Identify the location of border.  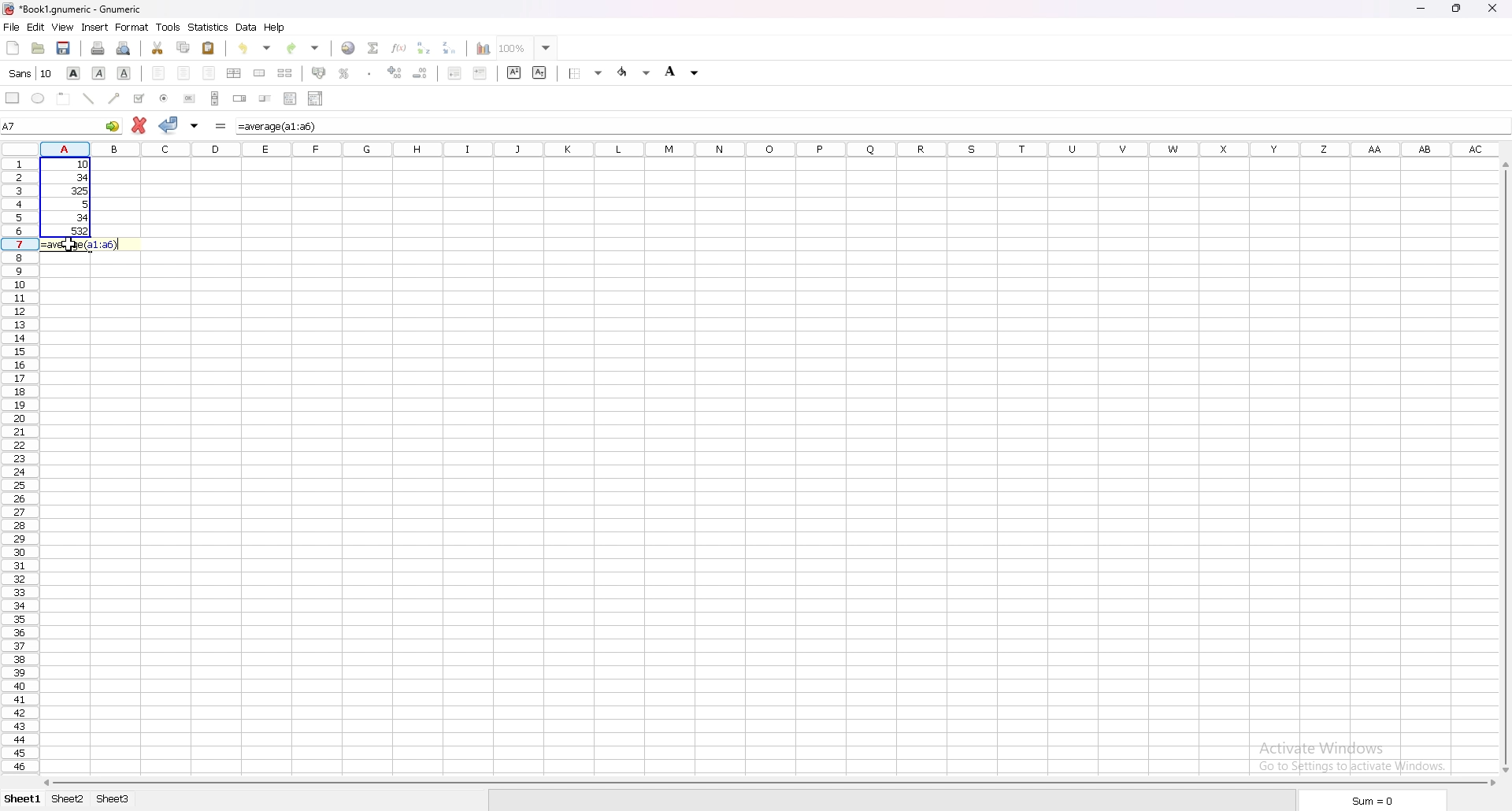
(585, 72).